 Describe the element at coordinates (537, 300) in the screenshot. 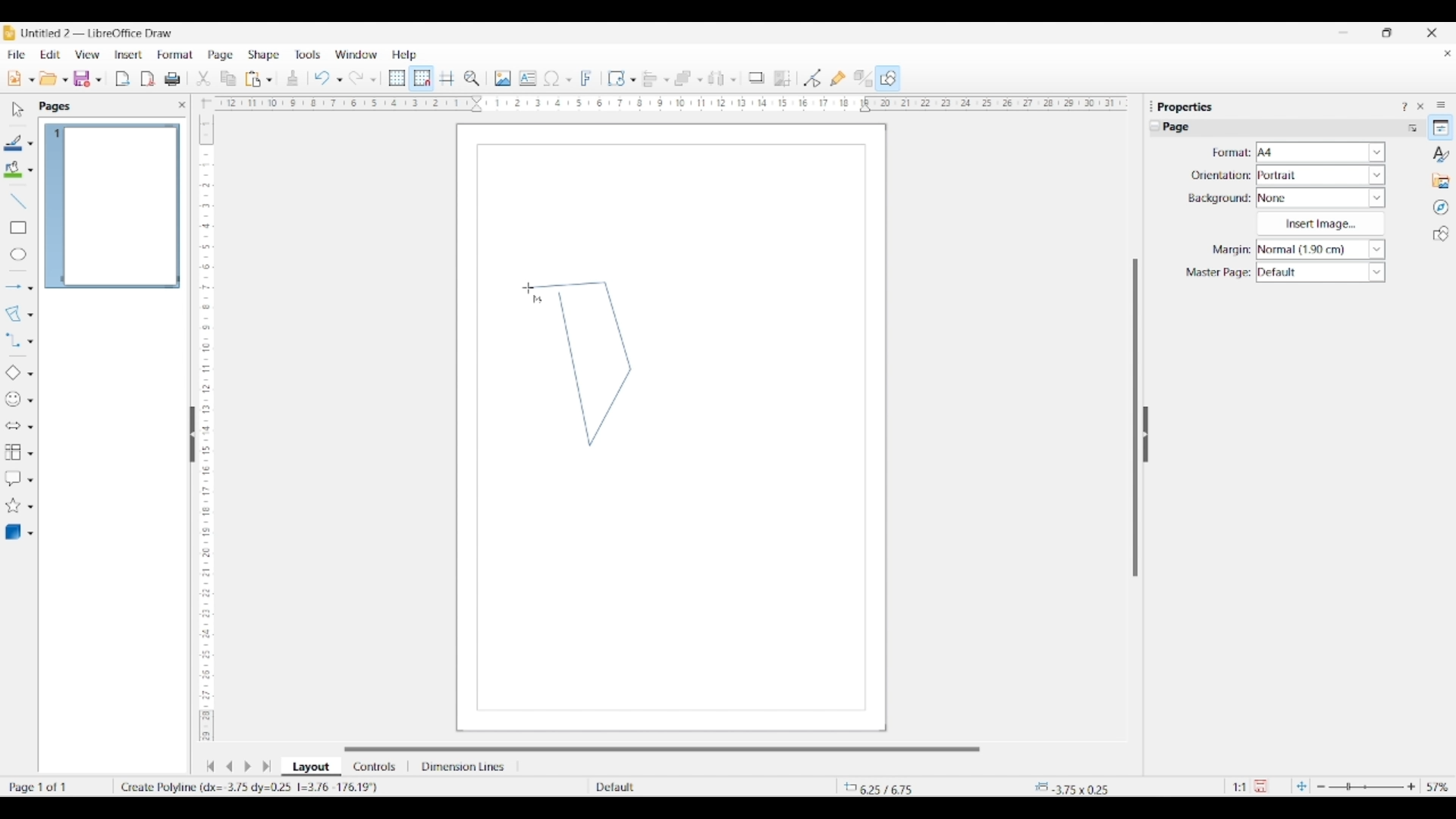

I see `Polygon symbol` at that location.